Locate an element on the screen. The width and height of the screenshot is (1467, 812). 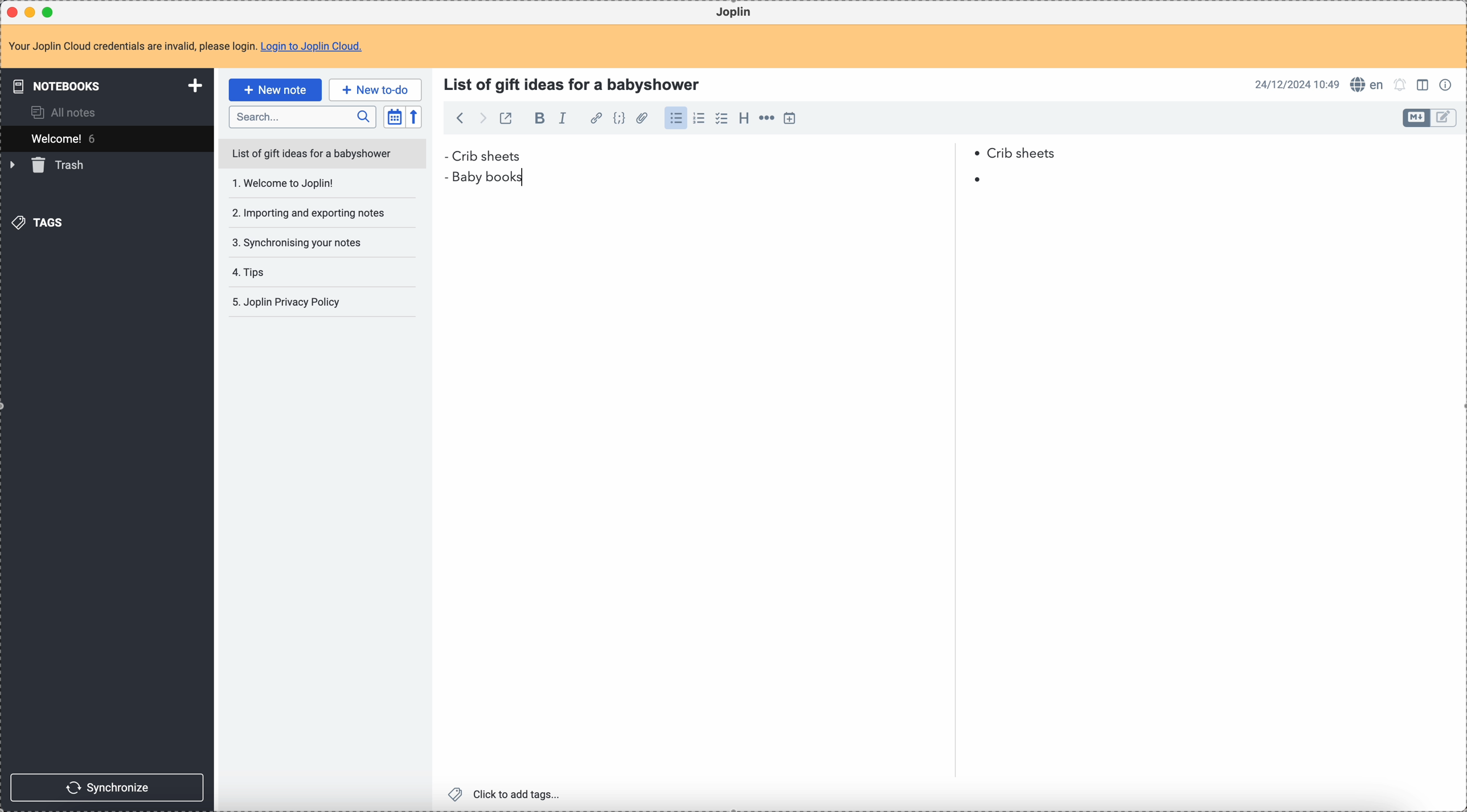
date and hour is located at coordinates (1297, 84).